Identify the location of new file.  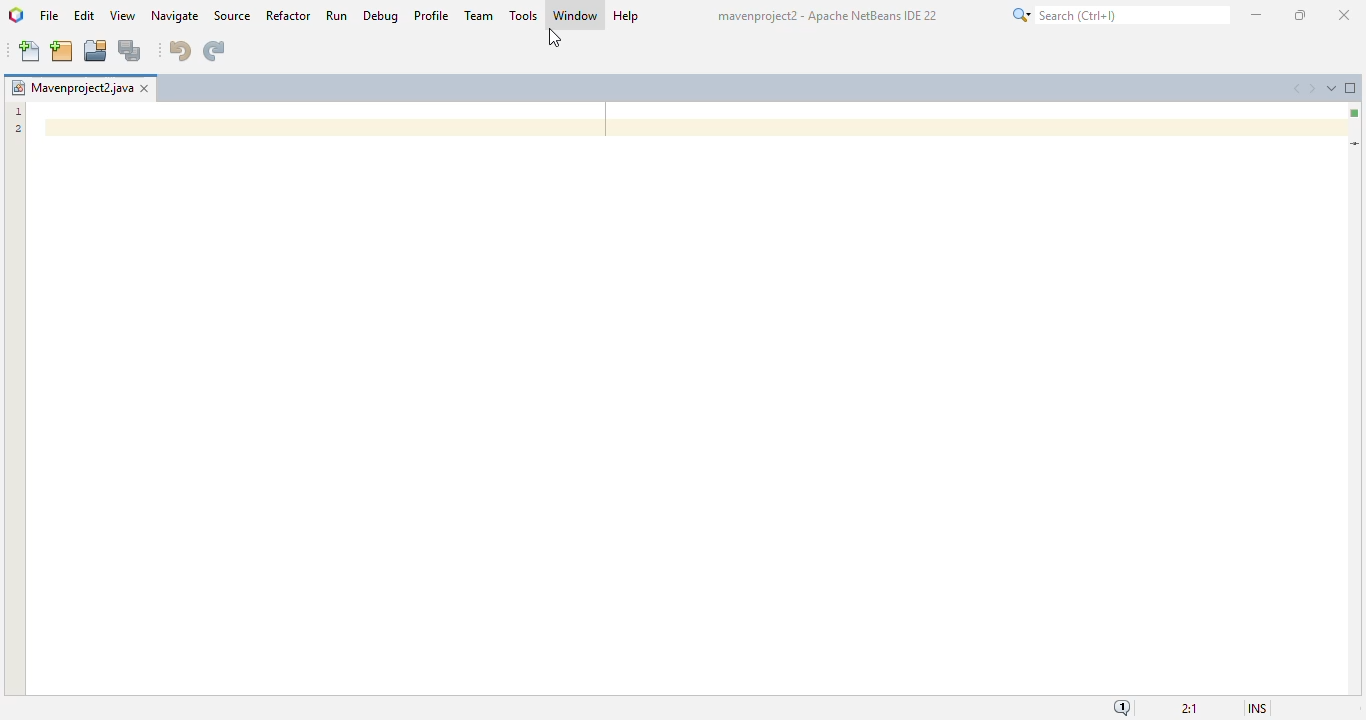
(32, 51).